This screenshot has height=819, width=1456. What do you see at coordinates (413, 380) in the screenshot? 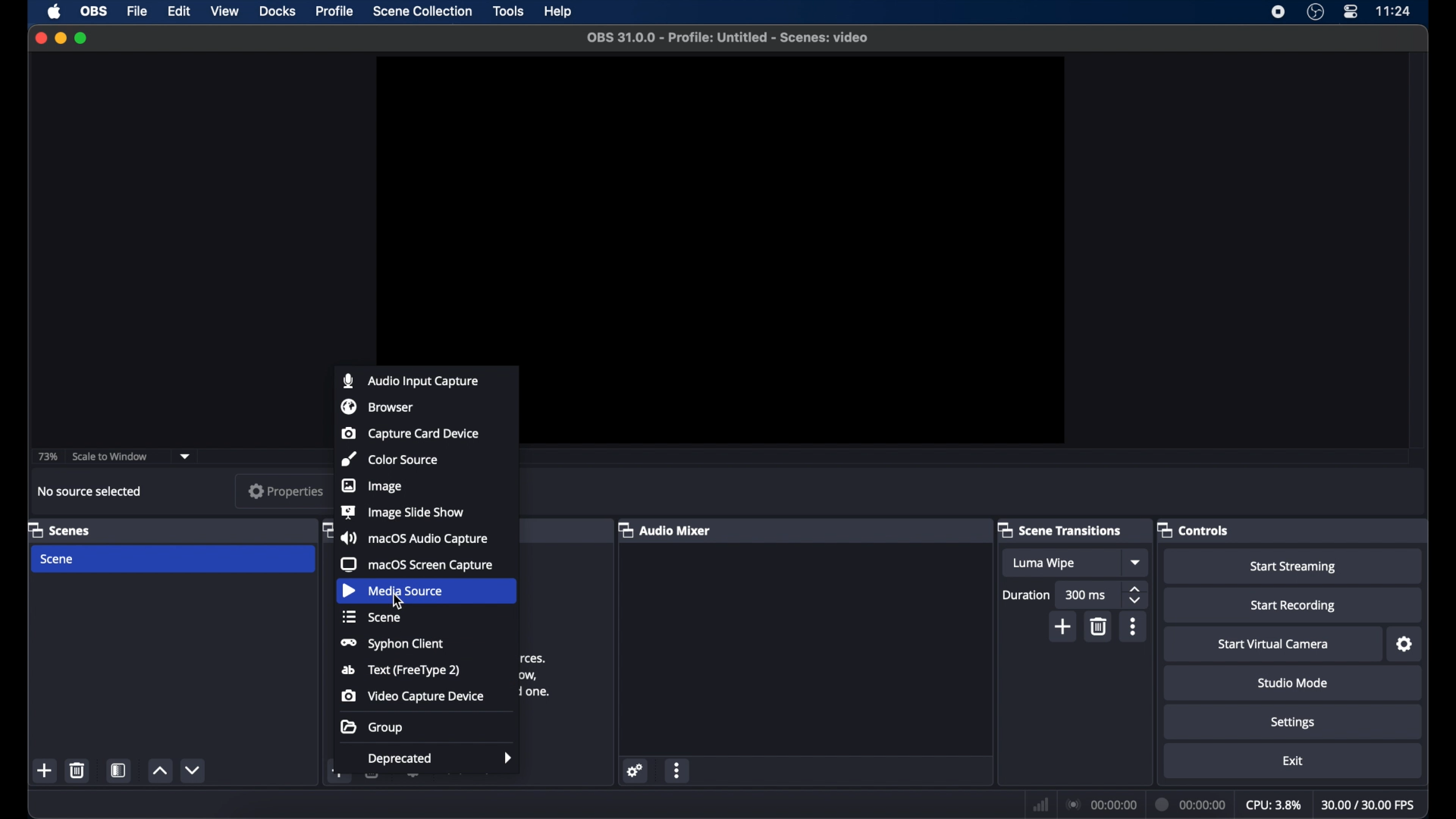
I see `audio input capture` at bounding box center [413, 380].